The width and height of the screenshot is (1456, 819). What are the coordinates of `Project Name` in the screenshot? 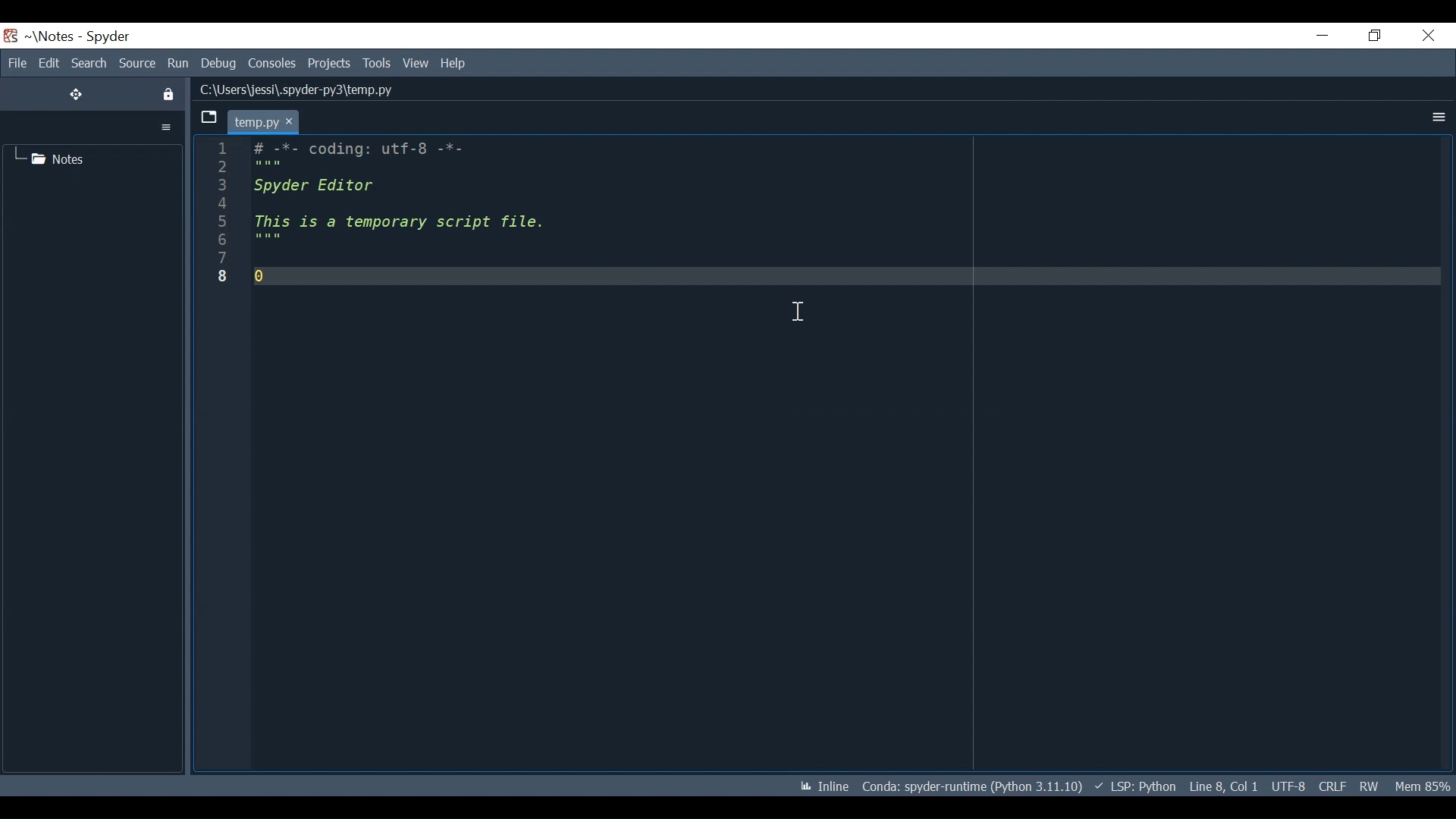 It's located at (51, 36).